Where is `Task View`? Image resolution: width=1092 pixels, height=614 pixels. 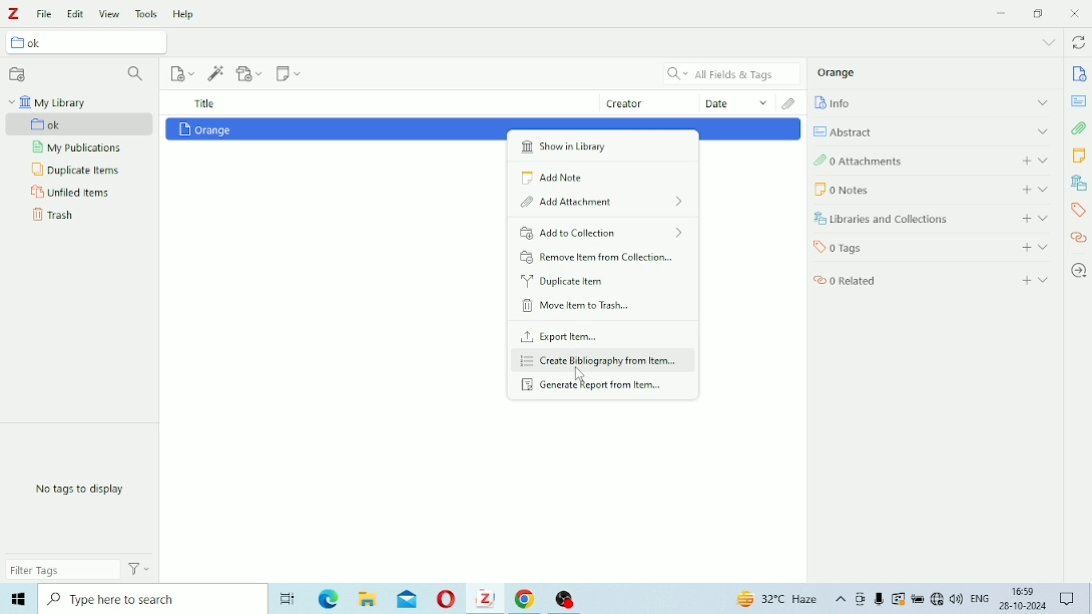 Task View is located at coordinates (287, 600).